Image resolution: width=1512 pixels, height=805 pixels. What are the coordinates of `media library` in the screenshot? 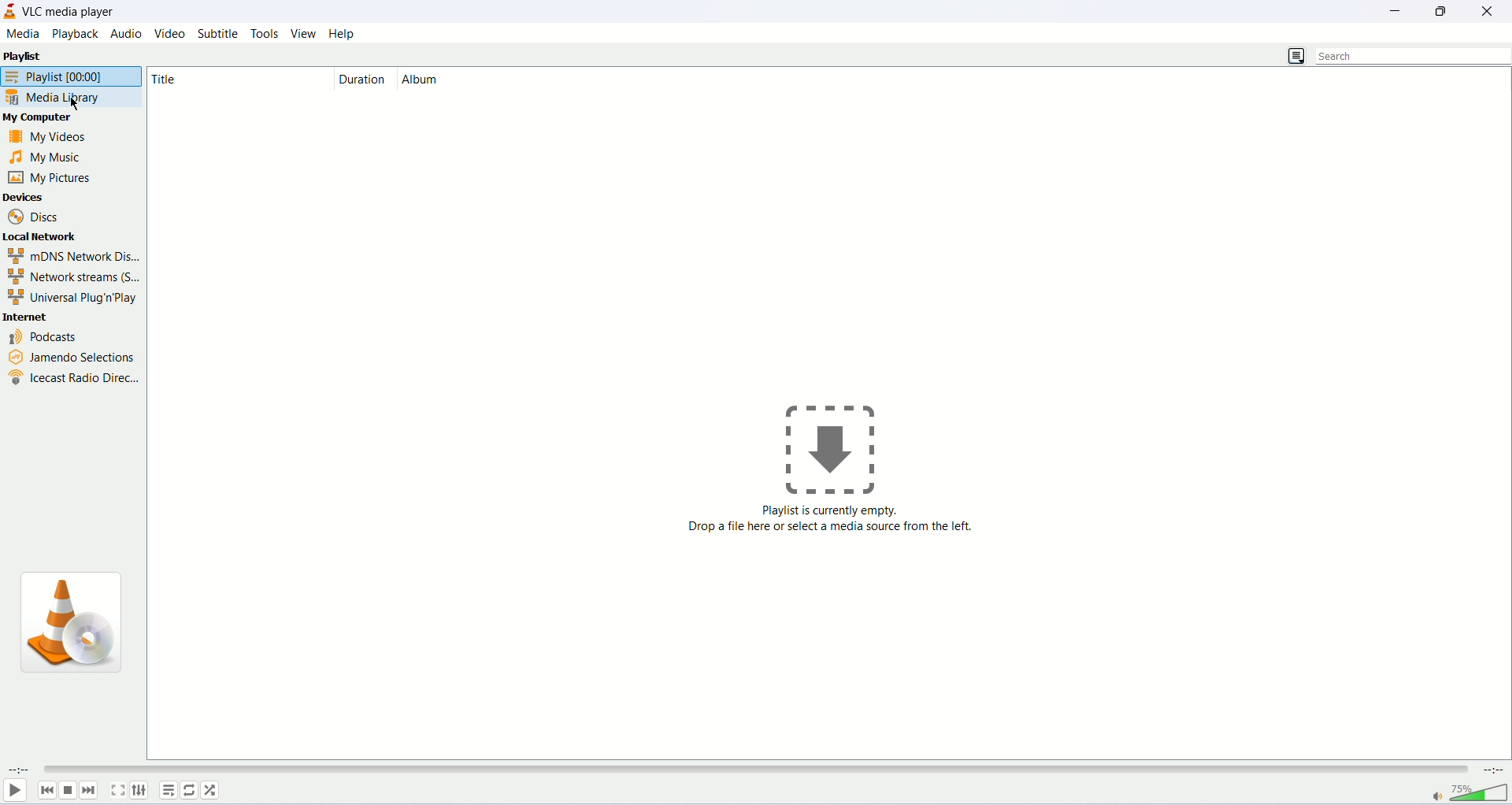 It's located at (72, 98).